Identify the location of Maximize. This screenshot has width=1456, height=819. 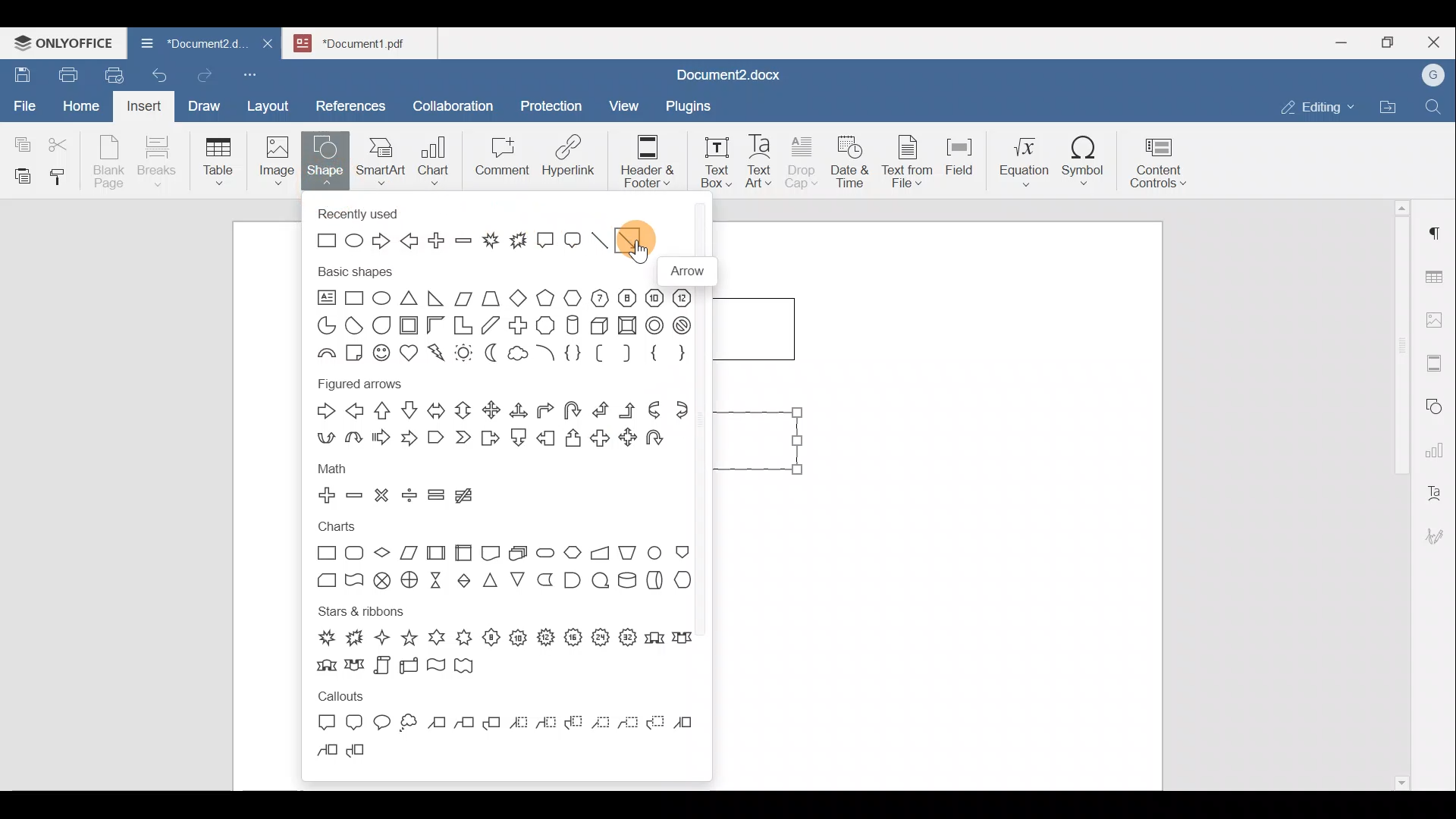
(1392, 42).